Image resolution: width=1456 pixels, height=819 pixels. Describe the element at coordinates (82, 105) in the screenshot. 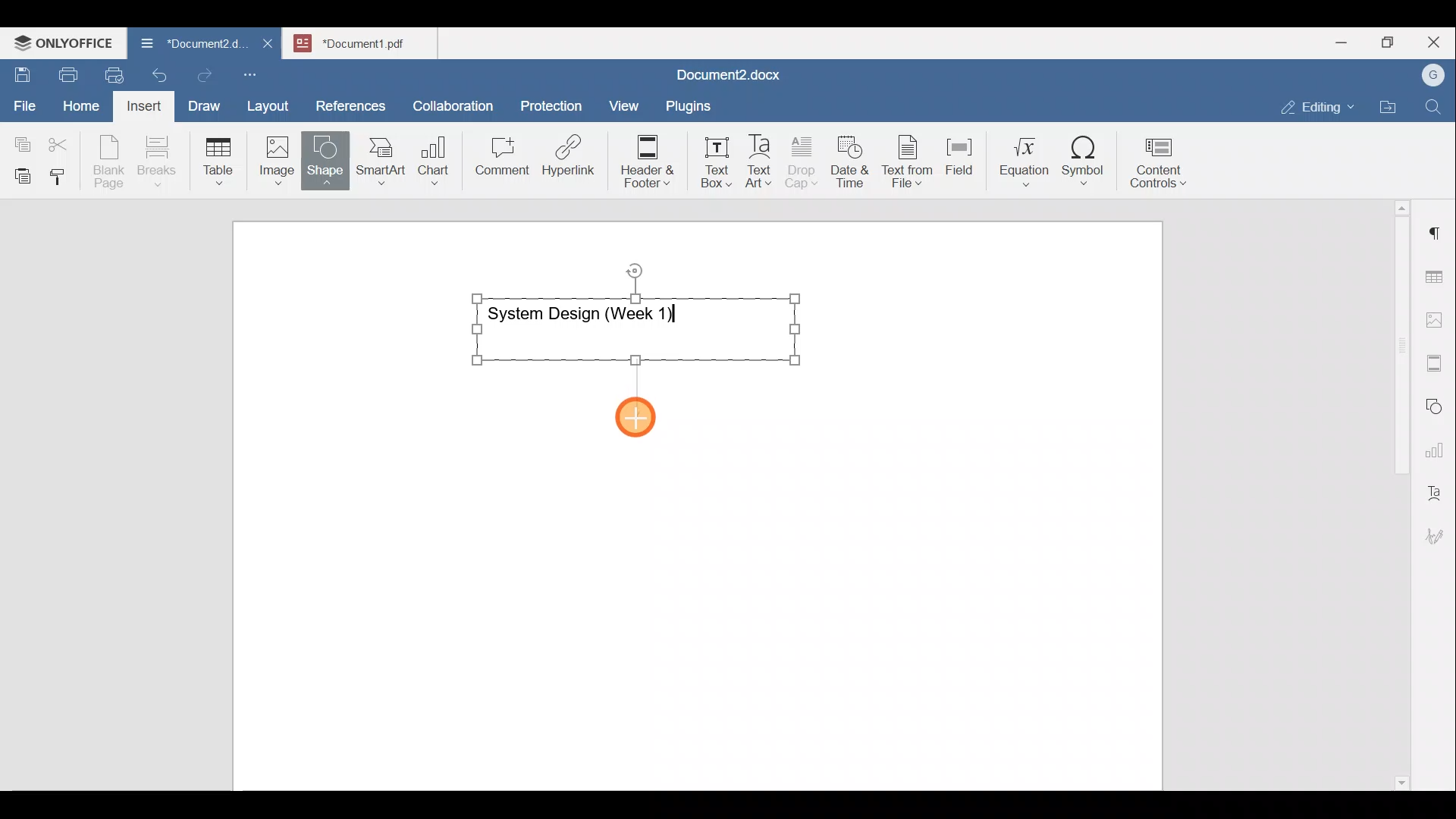

I see `Home` at that location.